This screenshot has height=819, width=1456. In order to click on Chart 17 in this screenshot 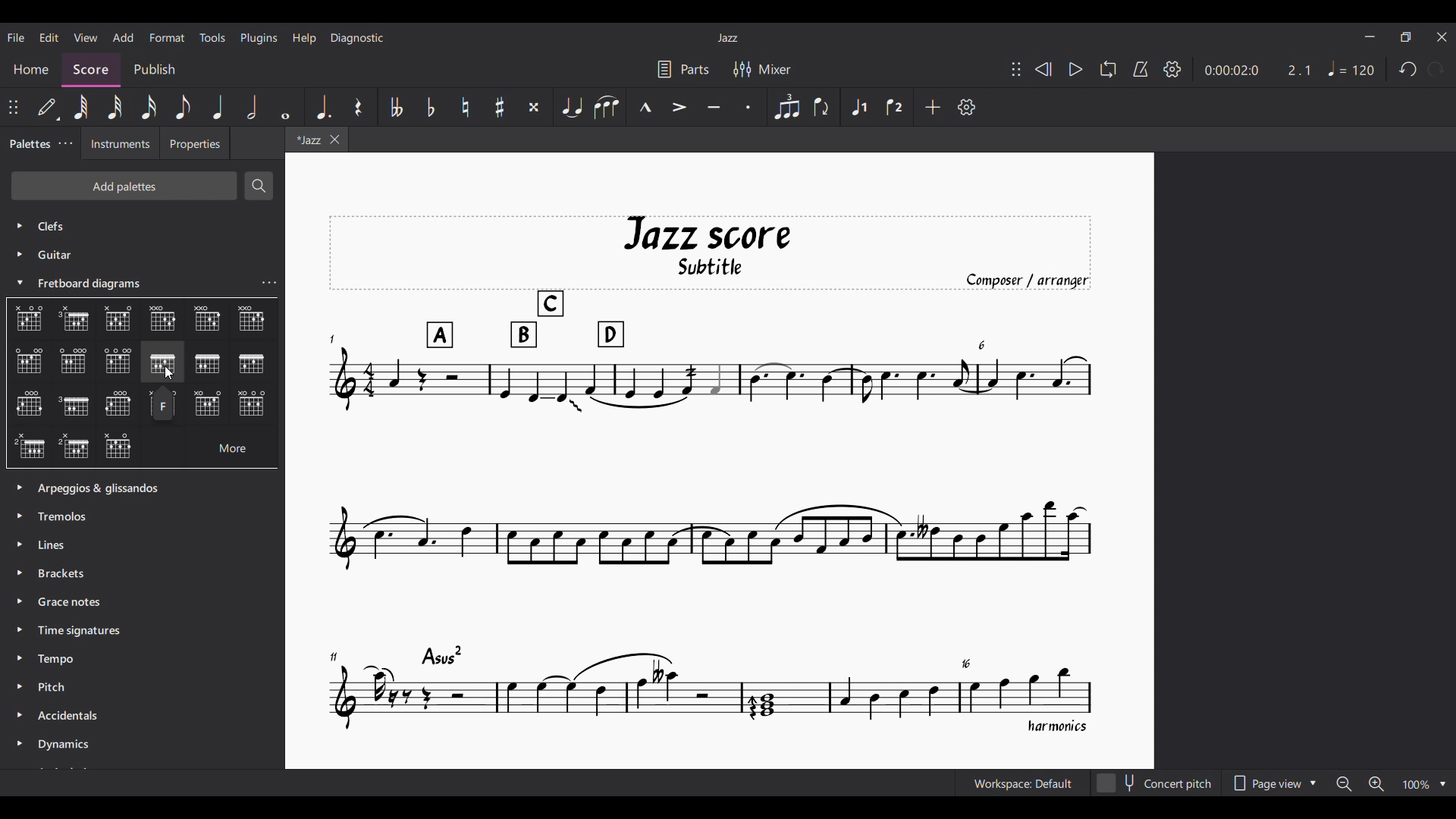, I will do `click(29, 444)`.